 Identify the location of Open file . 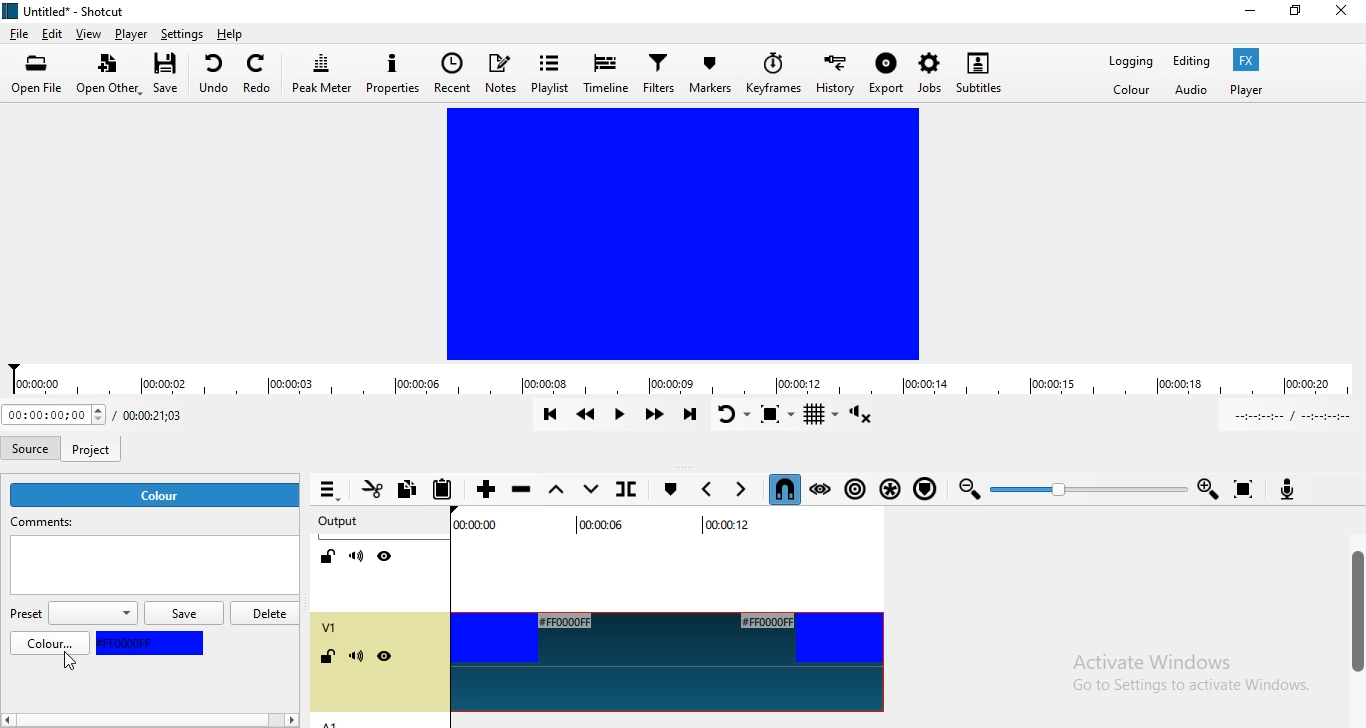
(37, 74).